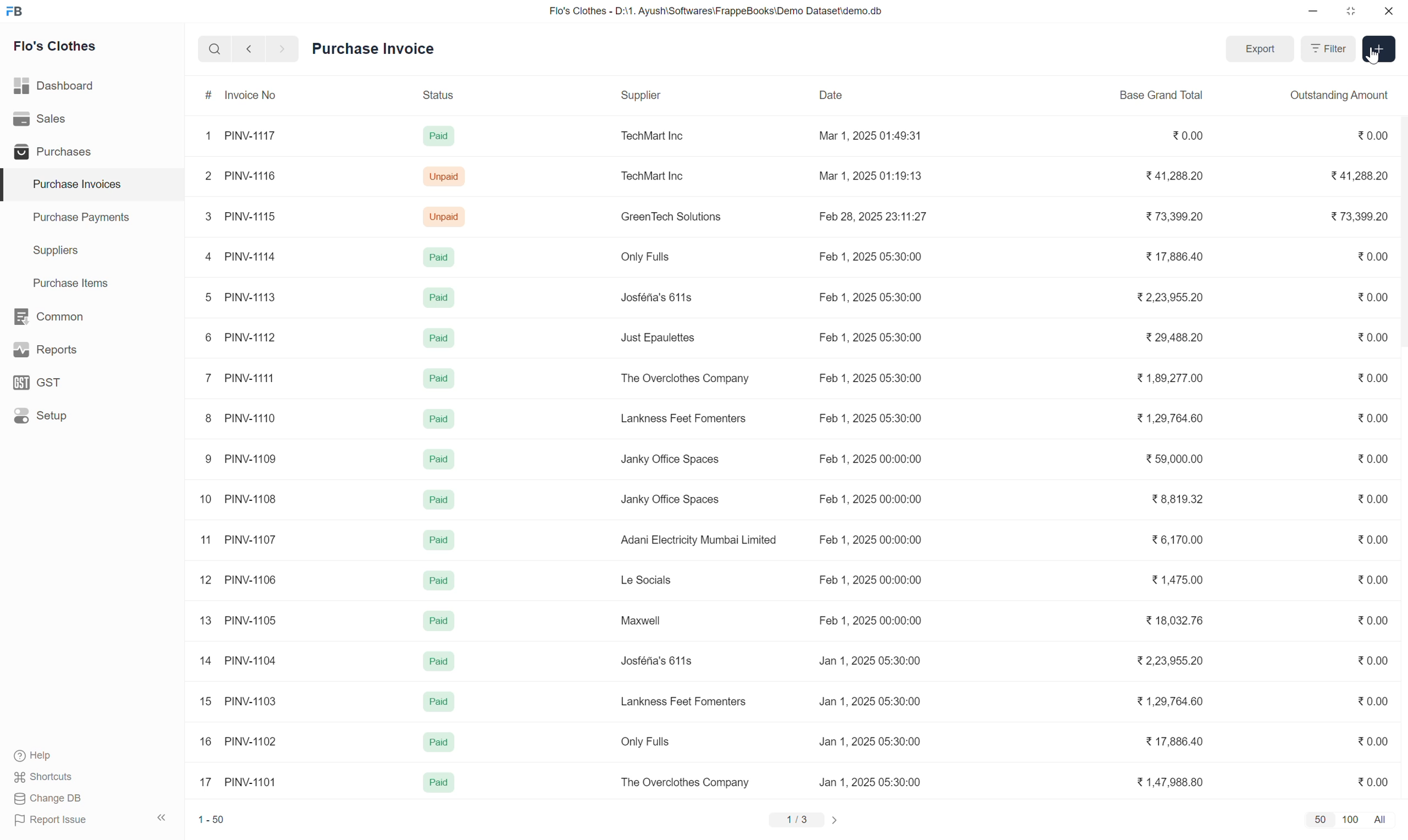  Describe the element at coordinates (684, 782) in the screenshot. I see `The Overclothes Company` at that location.